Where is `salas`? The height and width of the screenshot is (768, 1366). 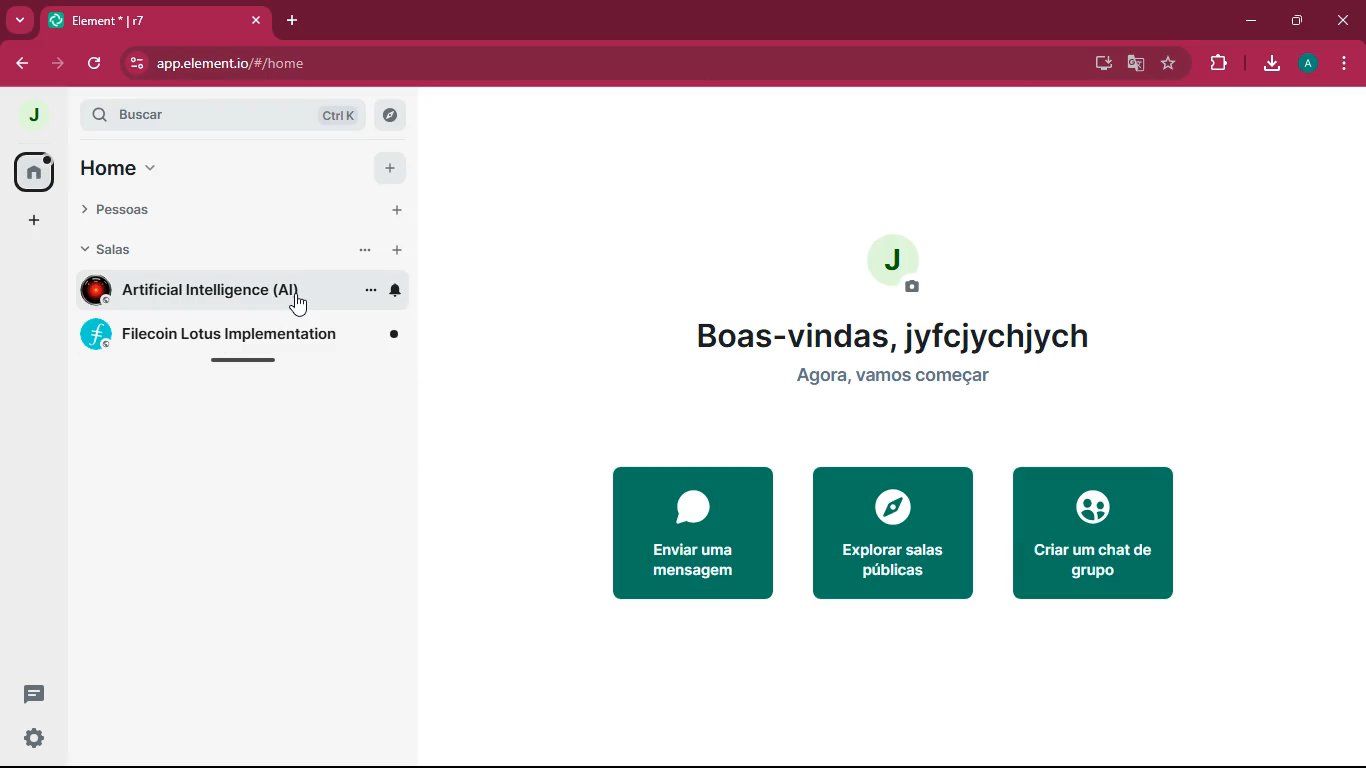
salas is located at coordinates (143, 253).